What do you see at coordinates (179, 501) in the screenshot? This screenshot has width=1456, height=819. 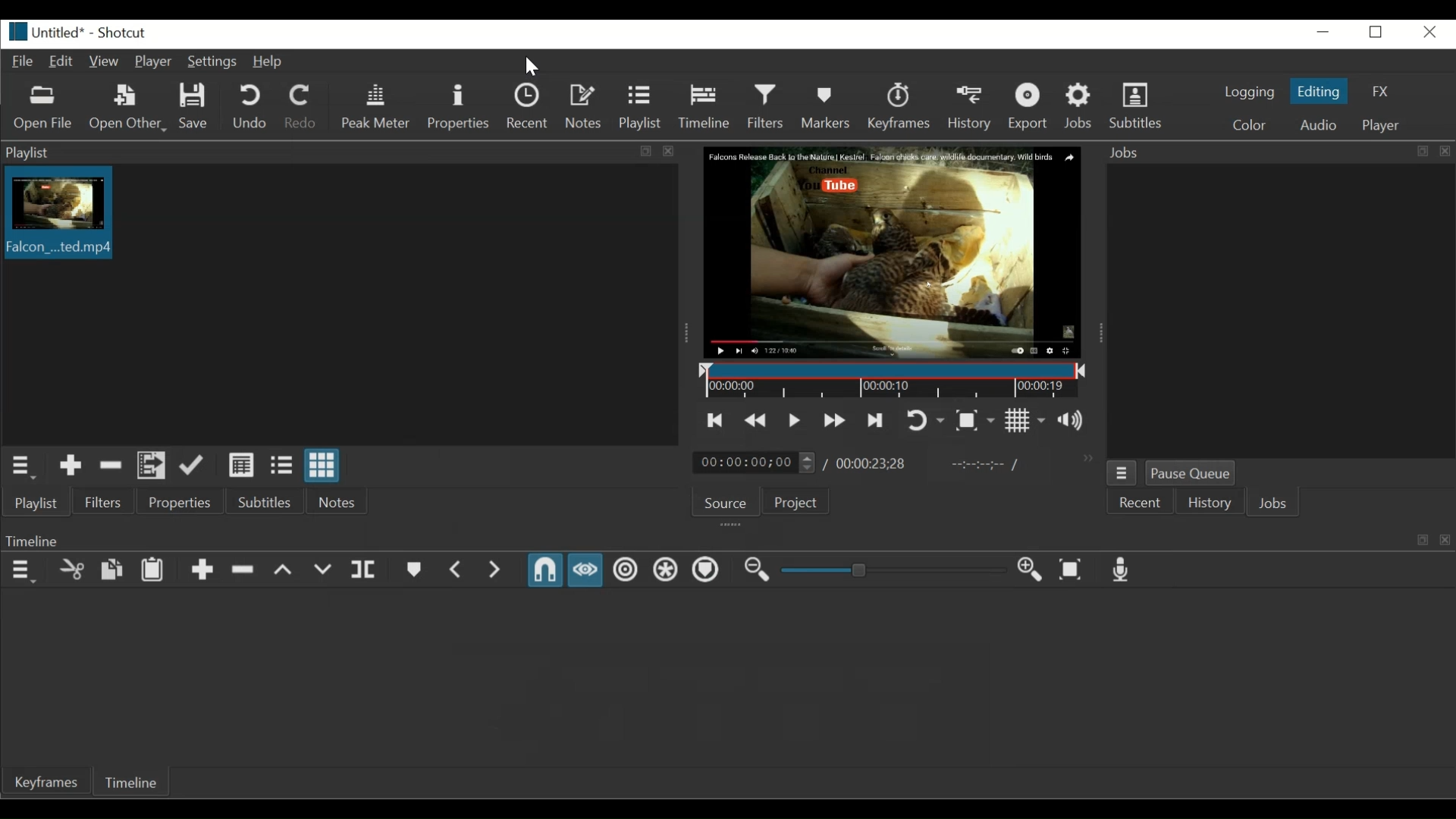 I see `Properties` at bounding box center [179, 501].